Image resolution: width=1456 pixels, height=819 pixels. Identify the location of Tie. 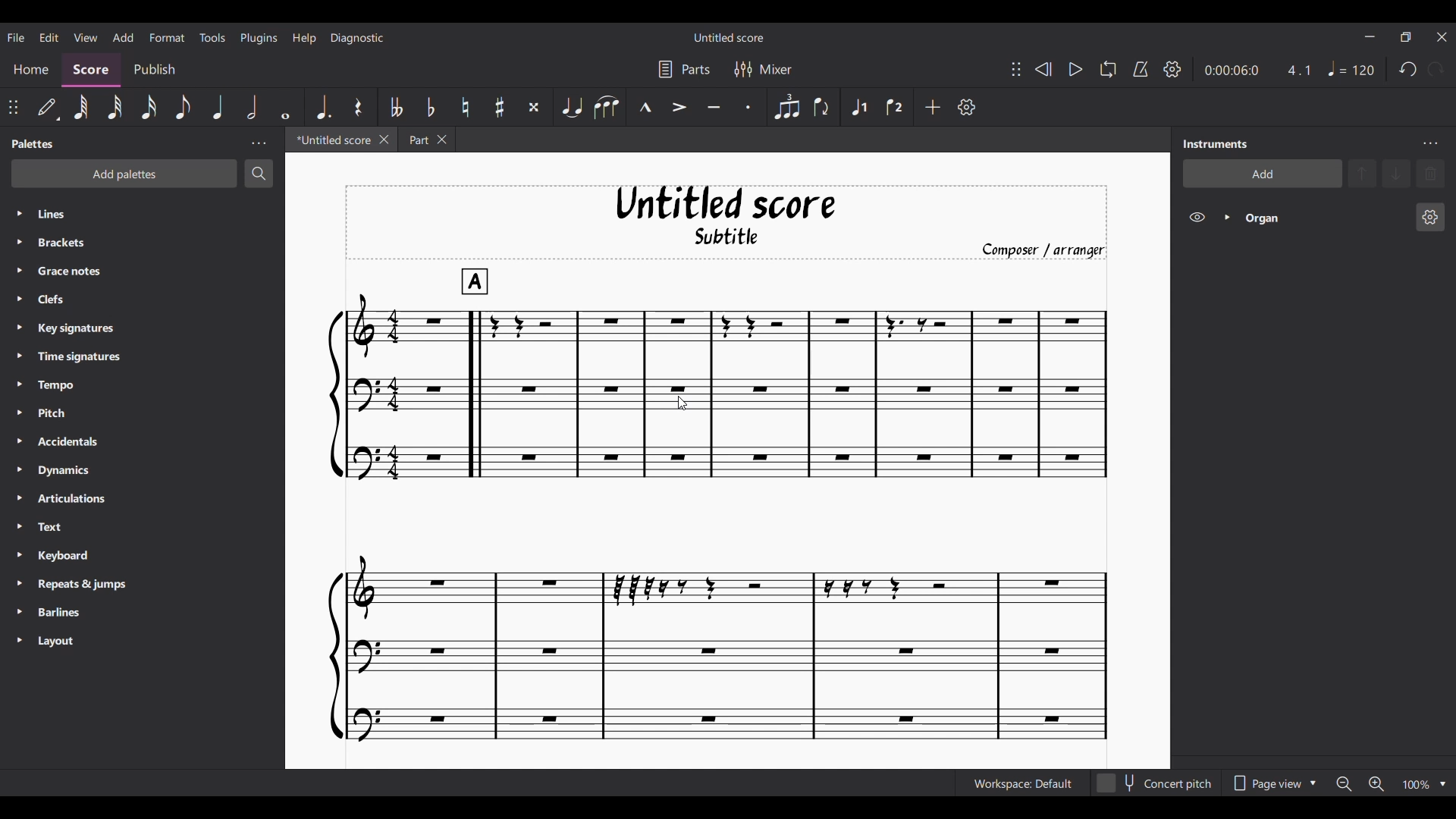
(572, 108).